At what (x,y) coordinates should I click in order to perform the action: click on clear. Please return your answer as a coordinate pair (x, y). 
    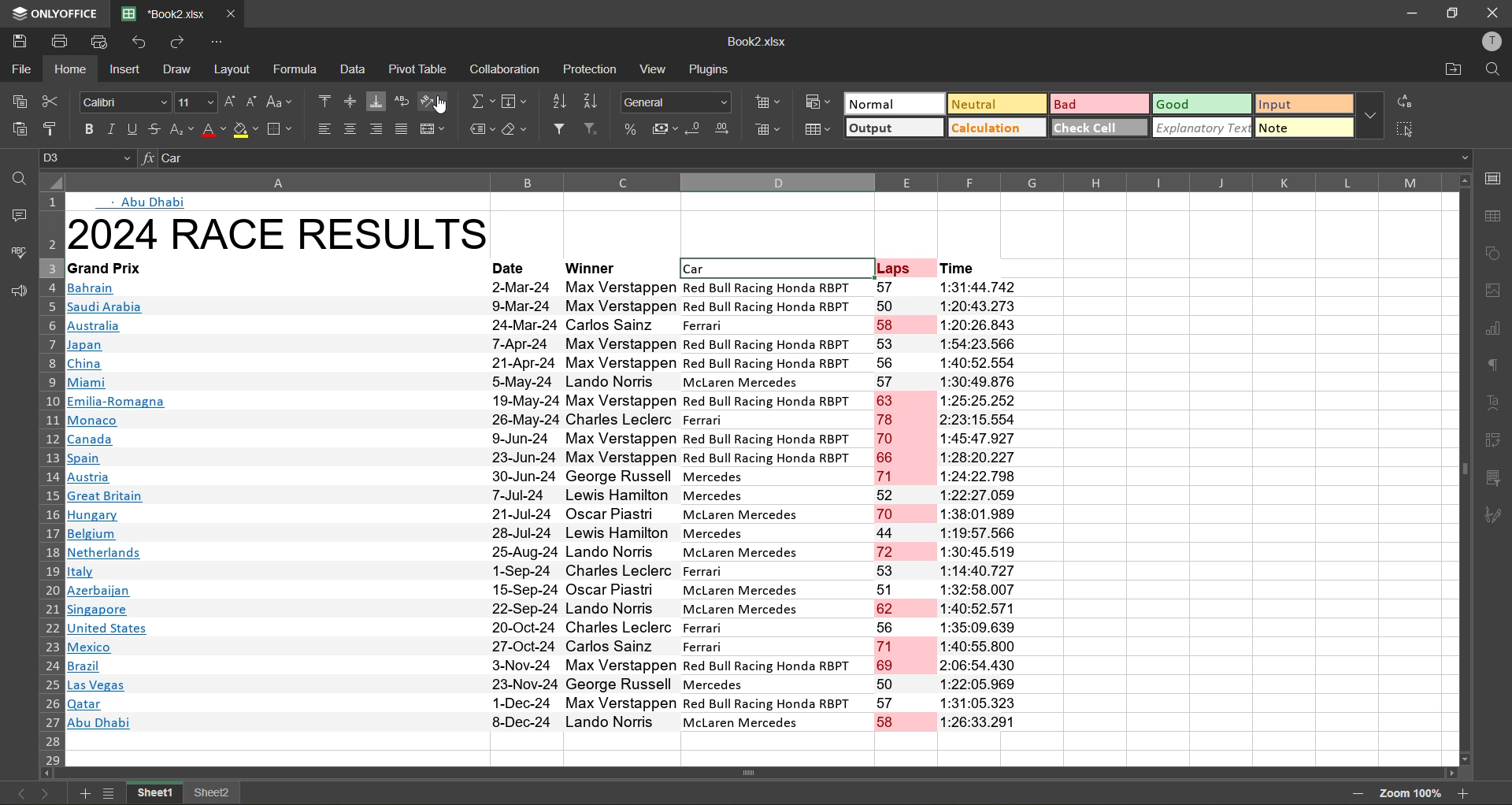
    Looking at the image, I should click on (520, 132).